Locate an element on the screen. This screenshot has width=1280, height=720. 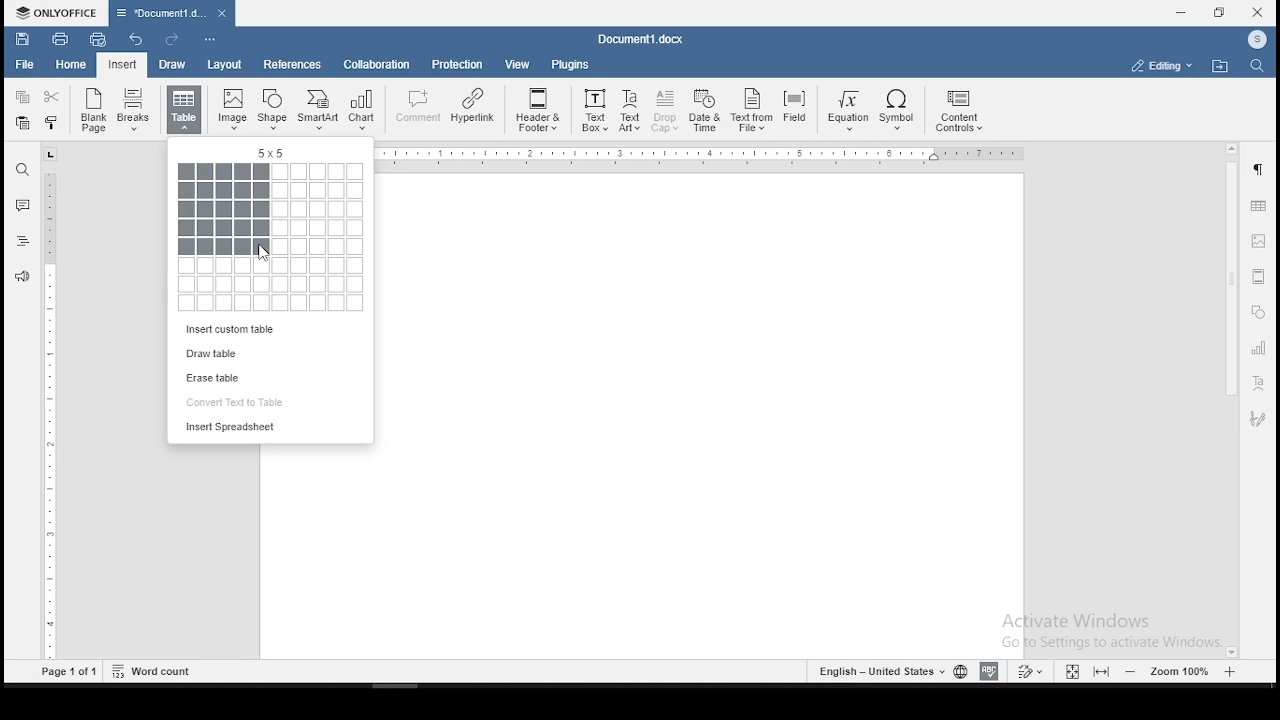
Field is located at coordinates (794, 108).